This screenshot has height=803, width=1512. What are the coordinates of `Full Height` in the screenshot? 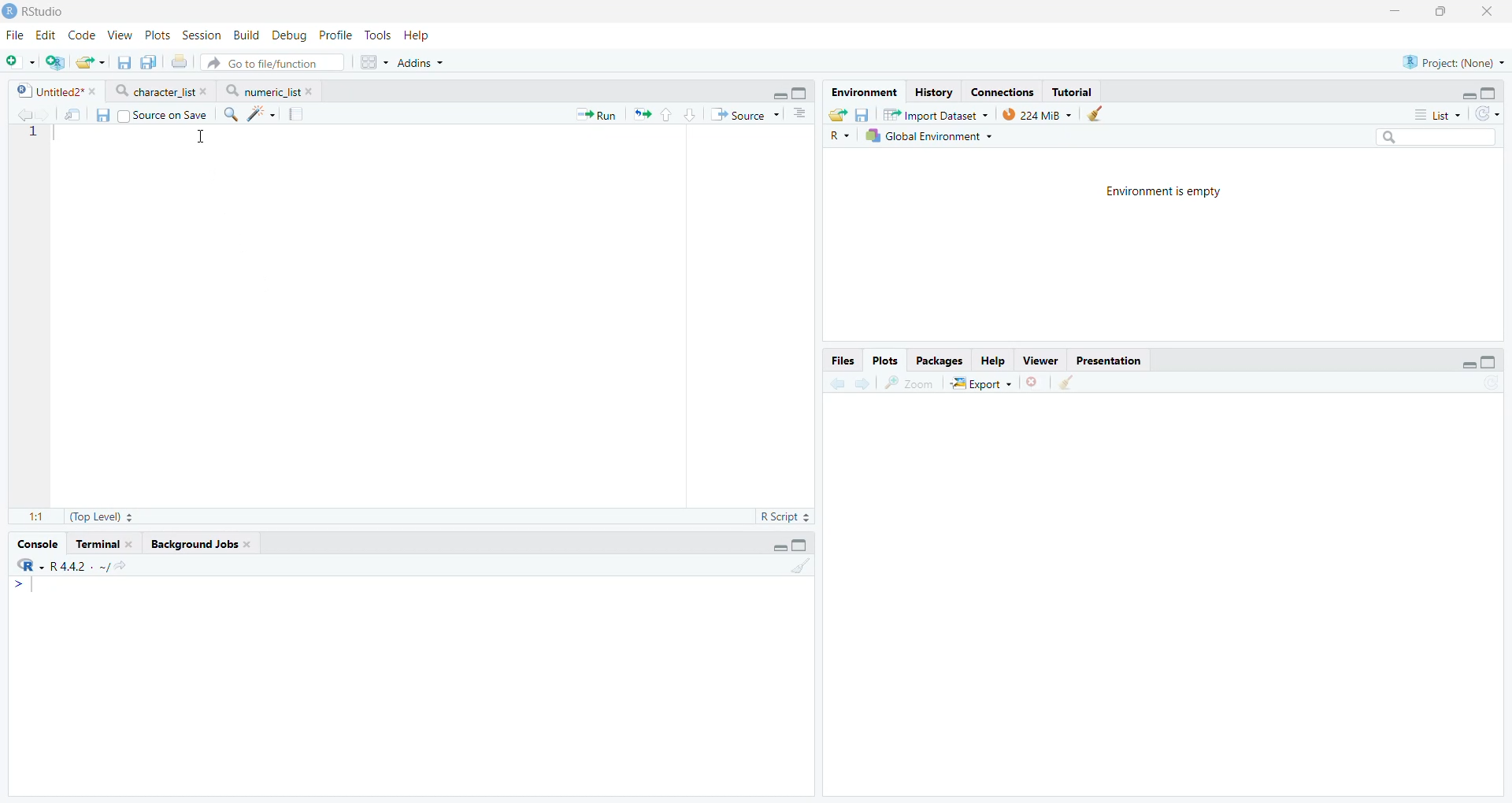 It's located at (1490, 91).